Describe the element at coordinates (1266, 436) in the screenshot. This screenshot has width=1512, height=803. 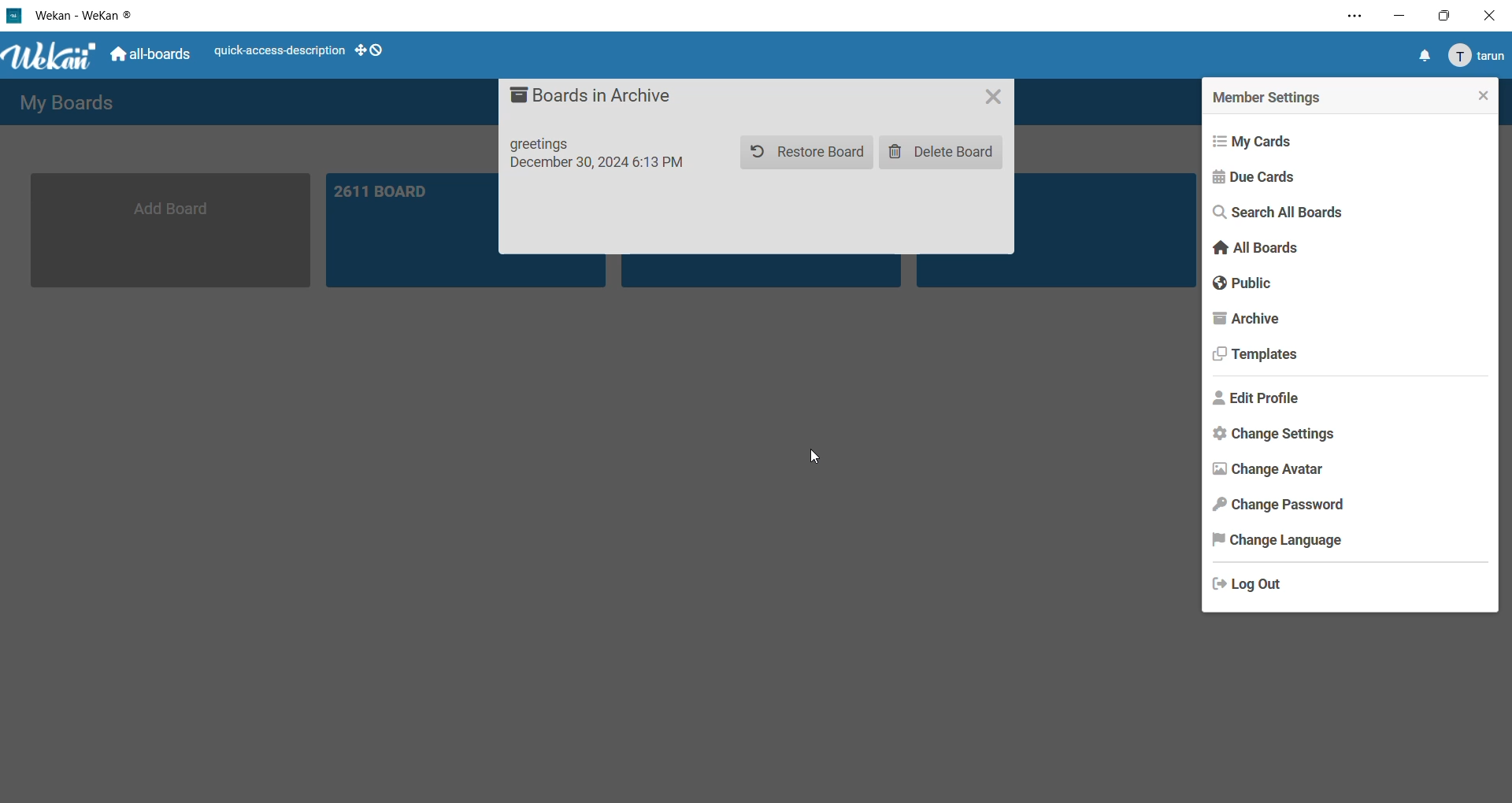
I see `change settings` at that location.